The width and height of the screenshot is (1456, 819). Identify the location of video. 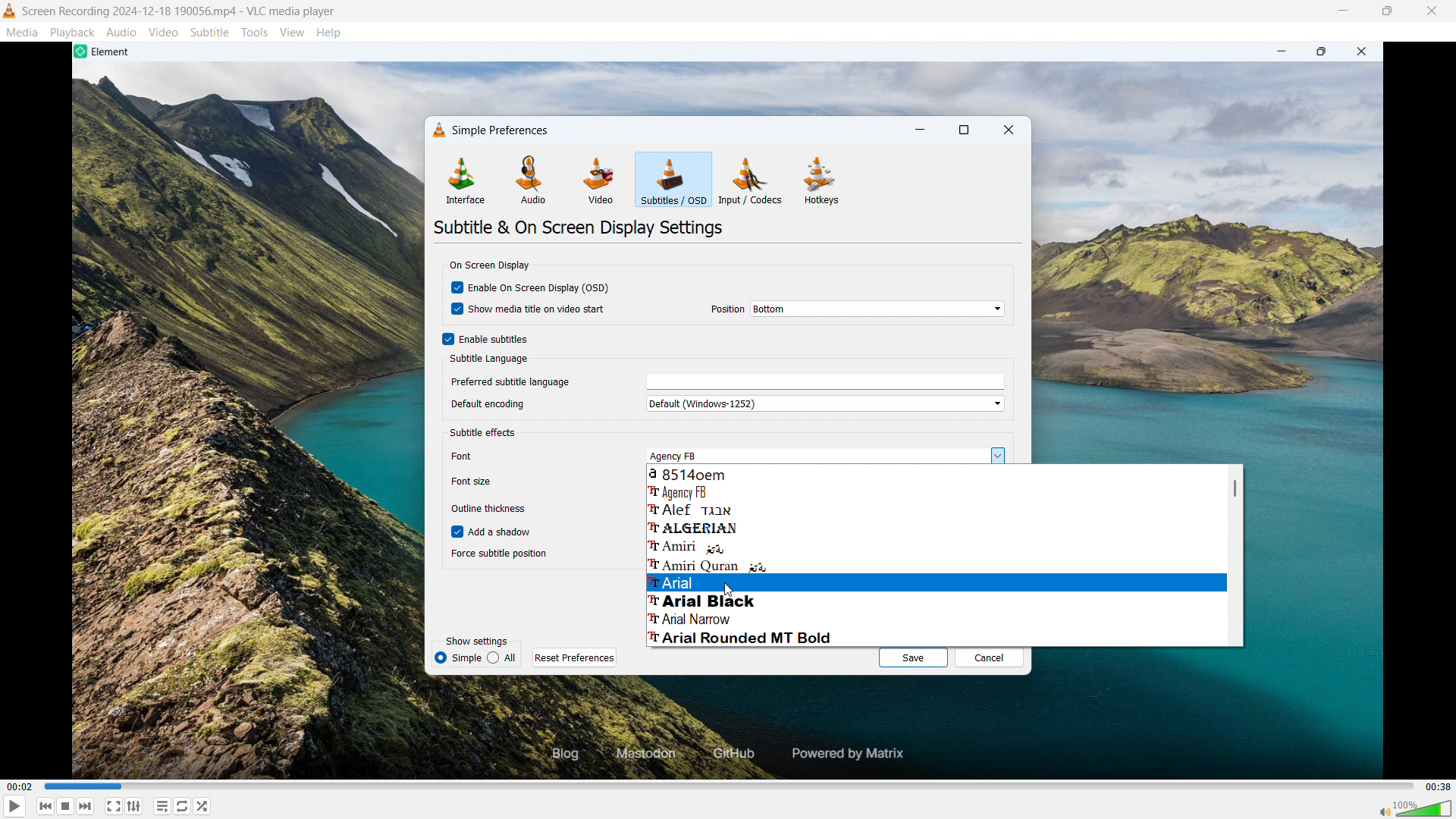
(163, 32).